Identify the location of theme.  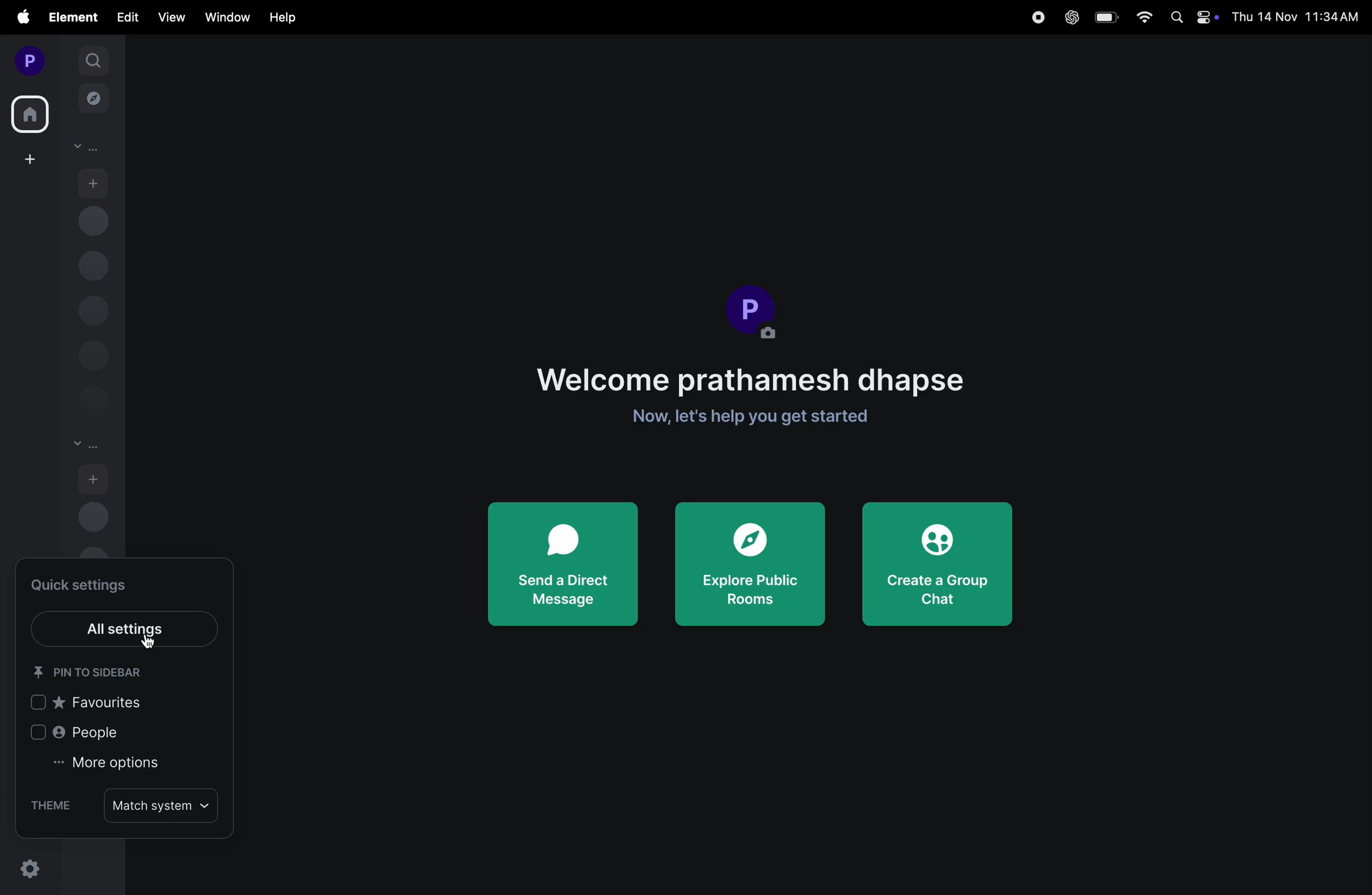
(50, 807).